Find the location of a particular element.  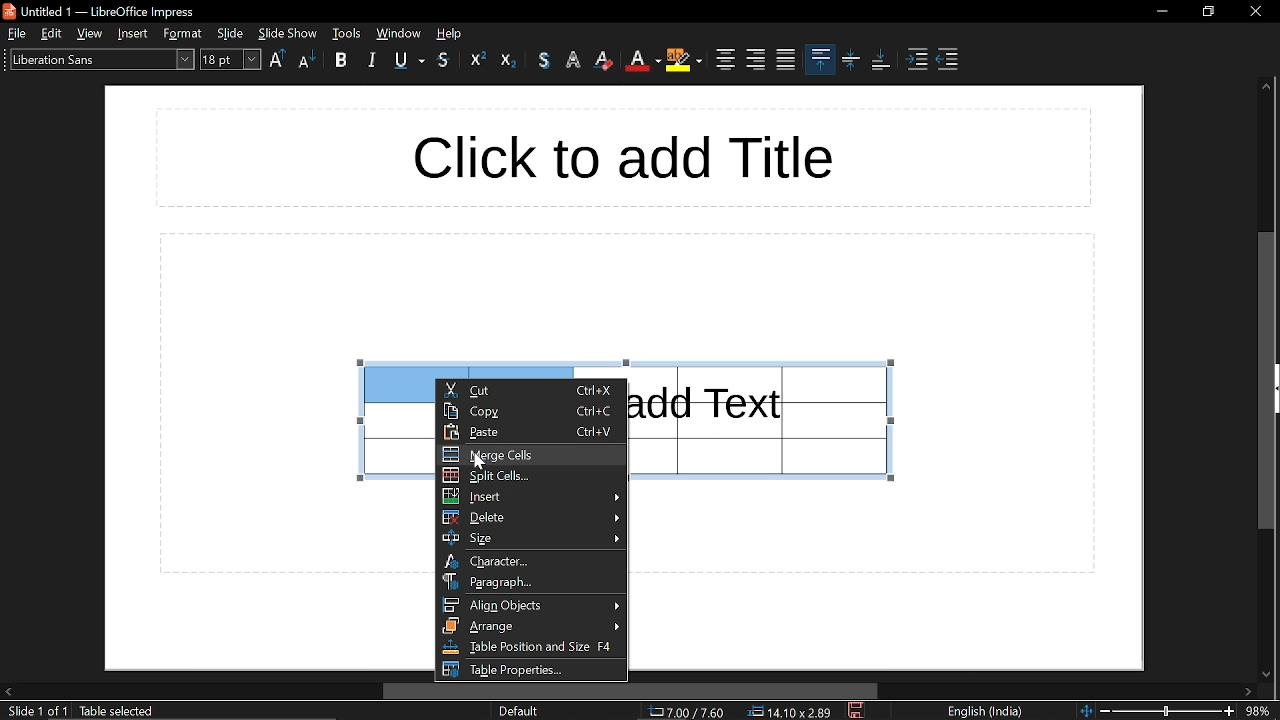

bold is located at coordinates (345, 62).